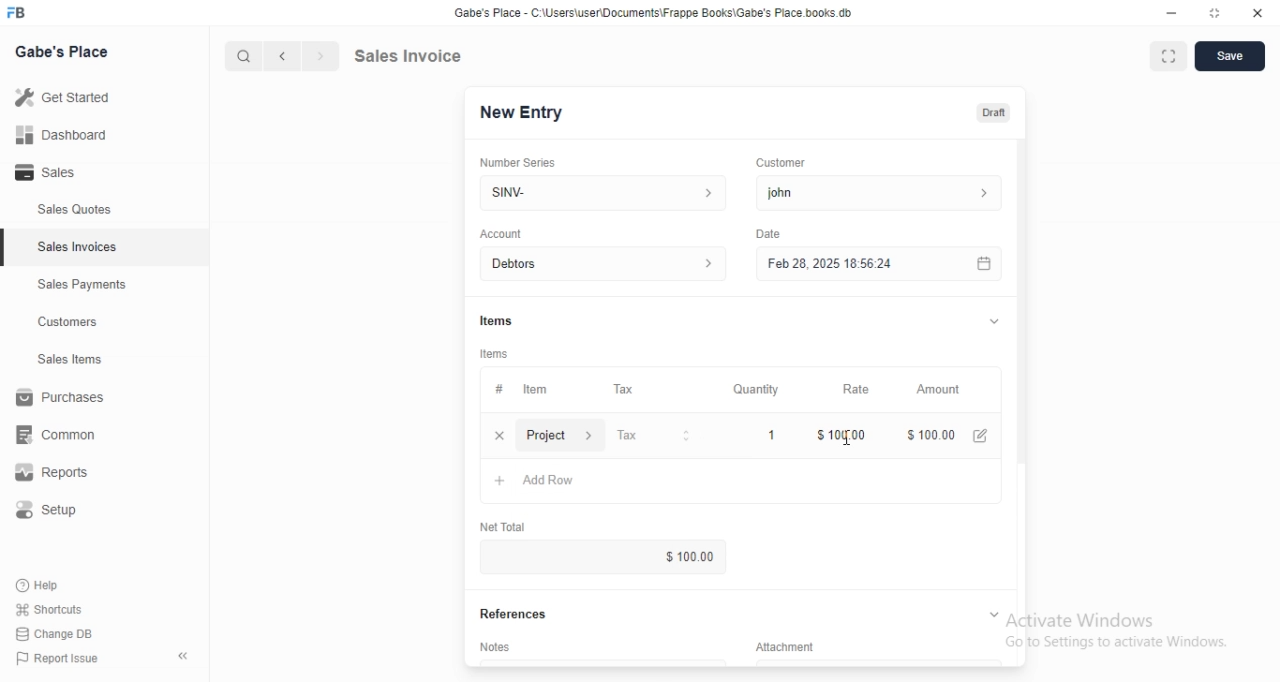 This screenshot has width=1280, height=682. What do you see at coordinates (497, 354) in the screenshot?
I see `tems` at bounding box center [497, 354].